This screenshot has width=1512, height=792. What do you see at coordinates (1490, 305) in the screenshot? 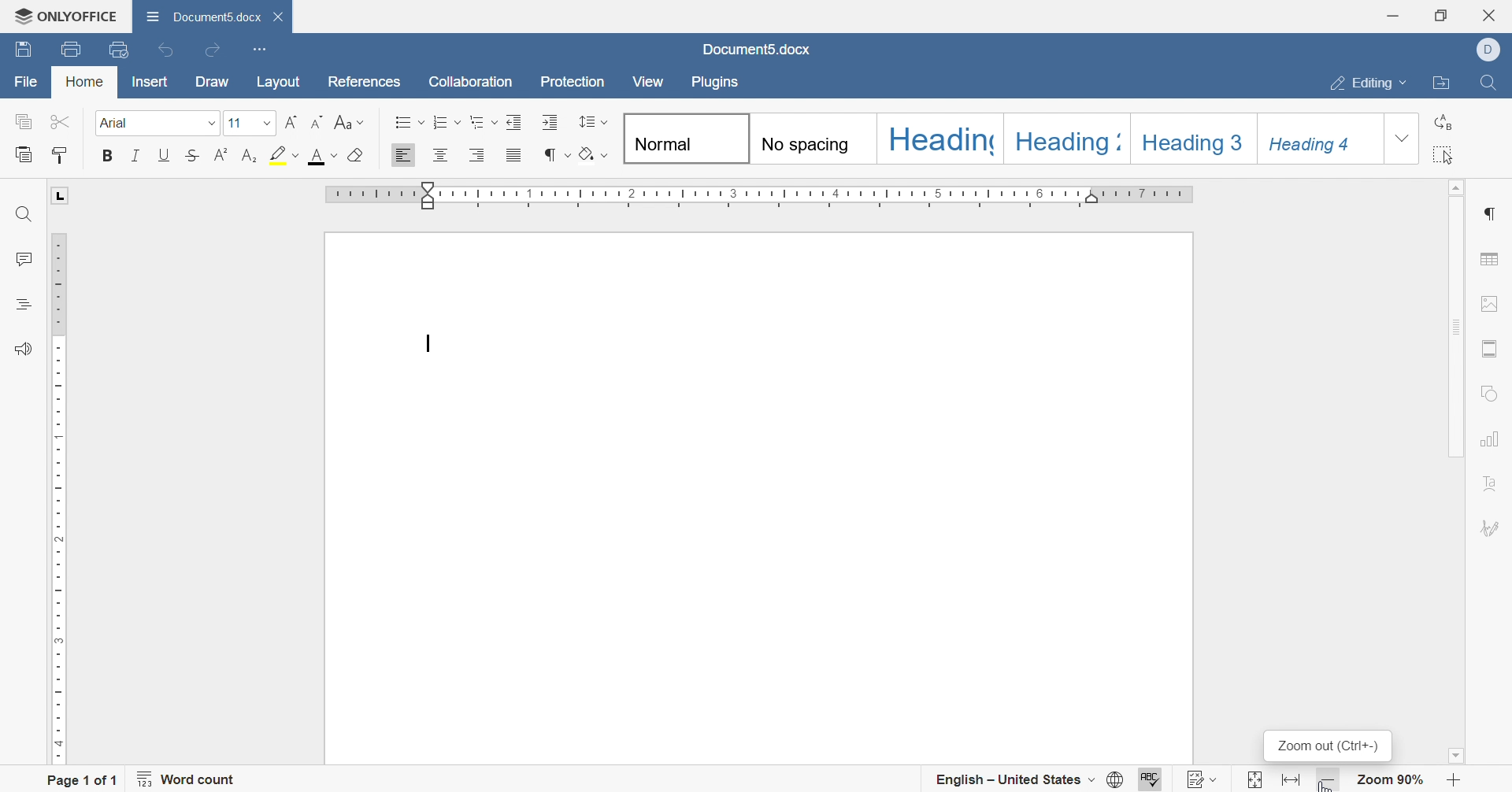
I see `image settings` at bounding box center [1490, 305].